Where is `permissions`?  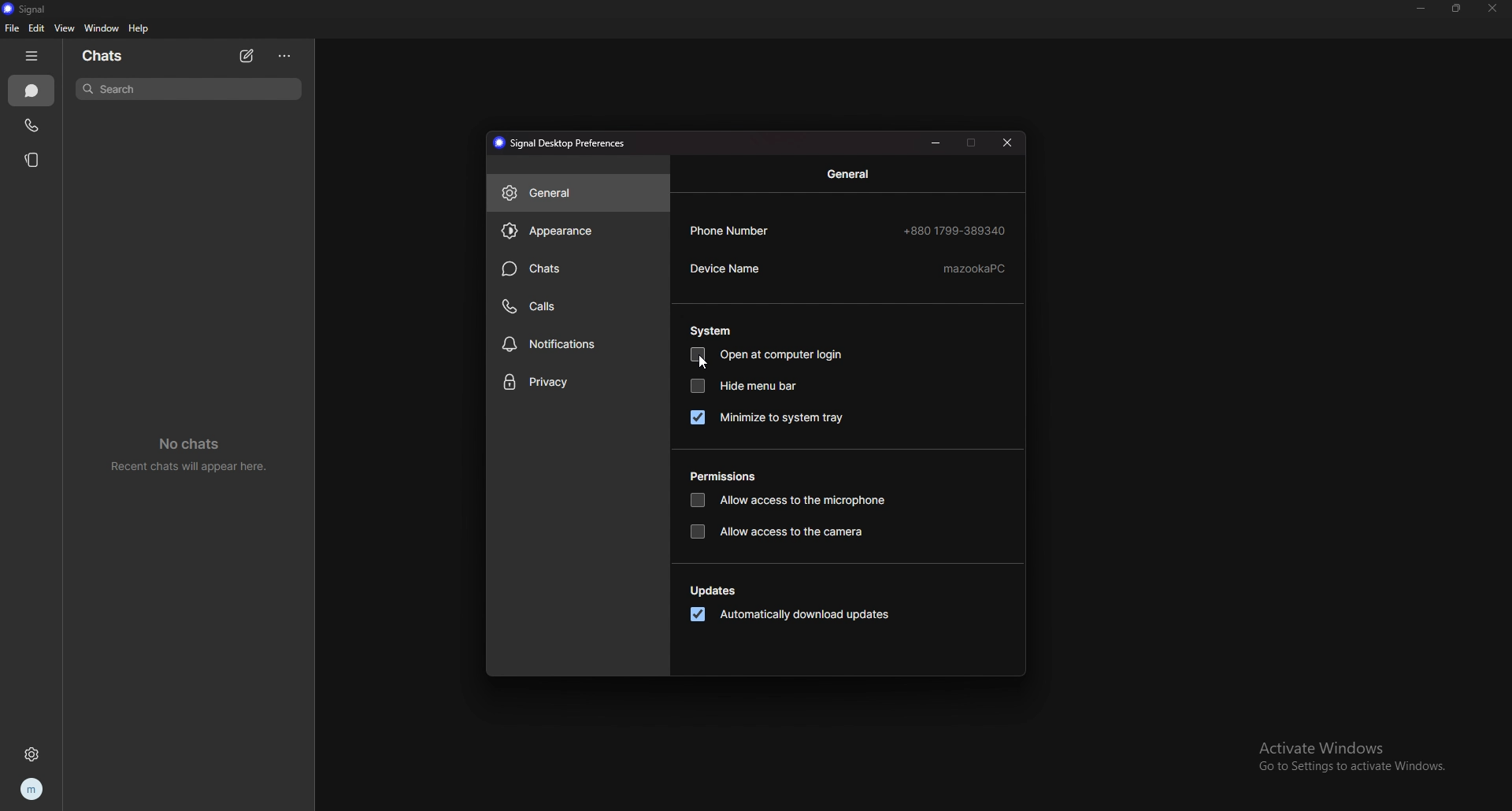 permissions is located at coordinates (728, 477).